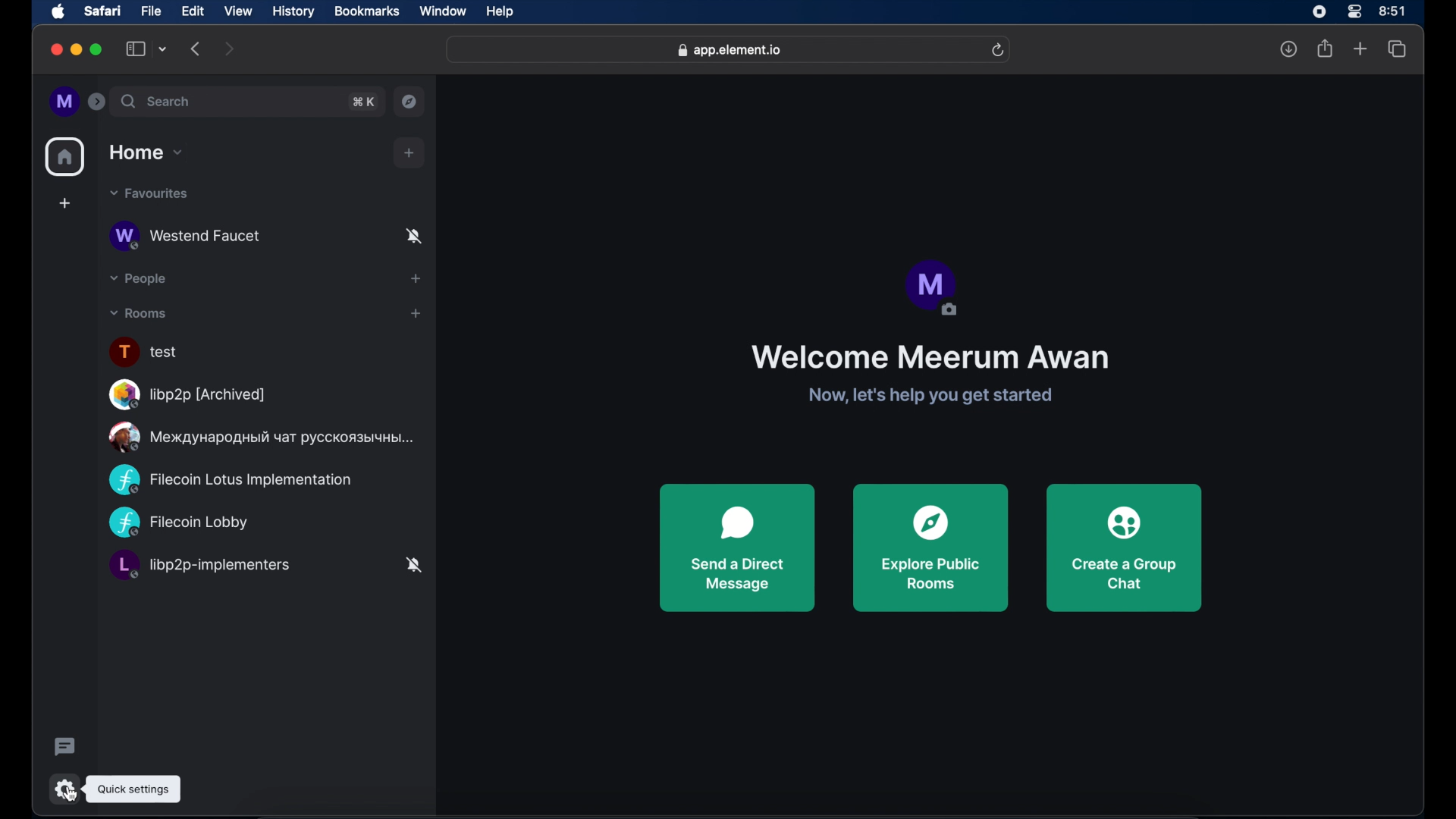 The width and height of the screenshot is (1456, 819). What do you see at coordinates (293, 12) in the screenshot?
I see `history` at bounding box center [293, 12].